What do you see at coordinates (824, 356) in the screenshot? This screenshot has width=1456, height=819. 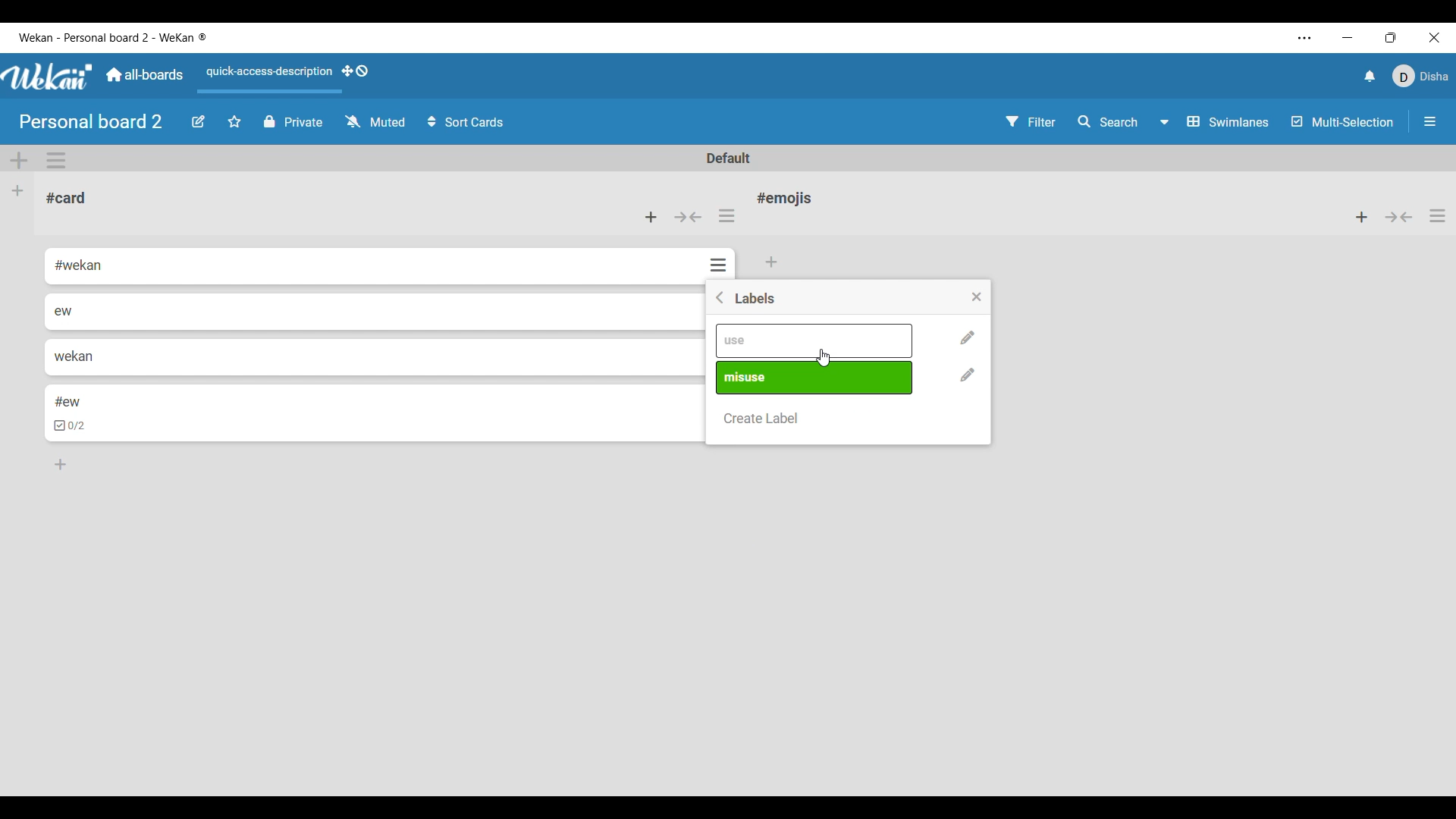 I see `cursor` at bounding box center [824, 356].